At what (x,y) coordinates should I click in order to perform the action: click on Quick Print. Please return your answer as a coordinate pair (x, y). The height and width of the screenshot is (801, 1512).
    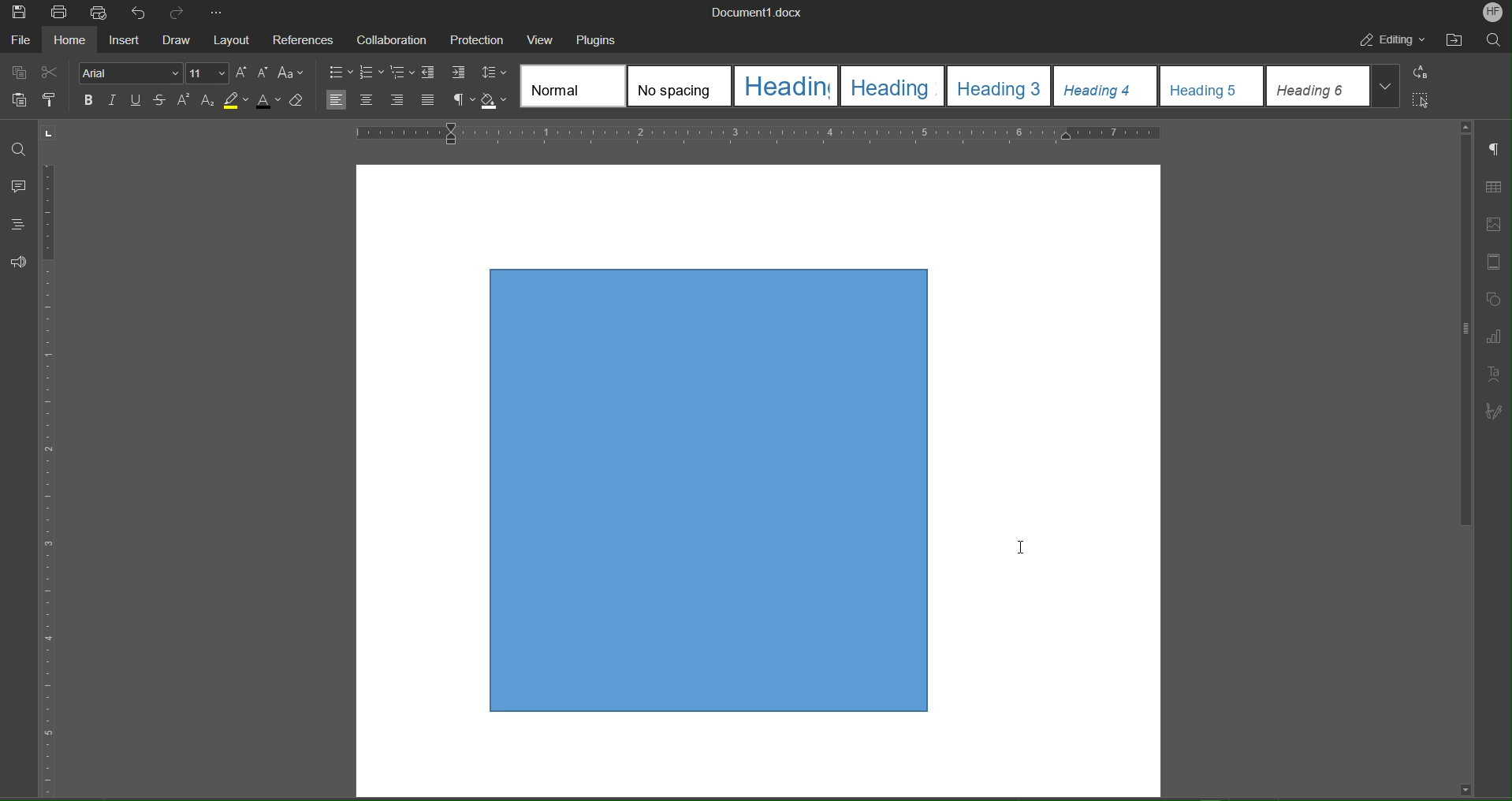
    Looking at the image, I should click on (99, 13).